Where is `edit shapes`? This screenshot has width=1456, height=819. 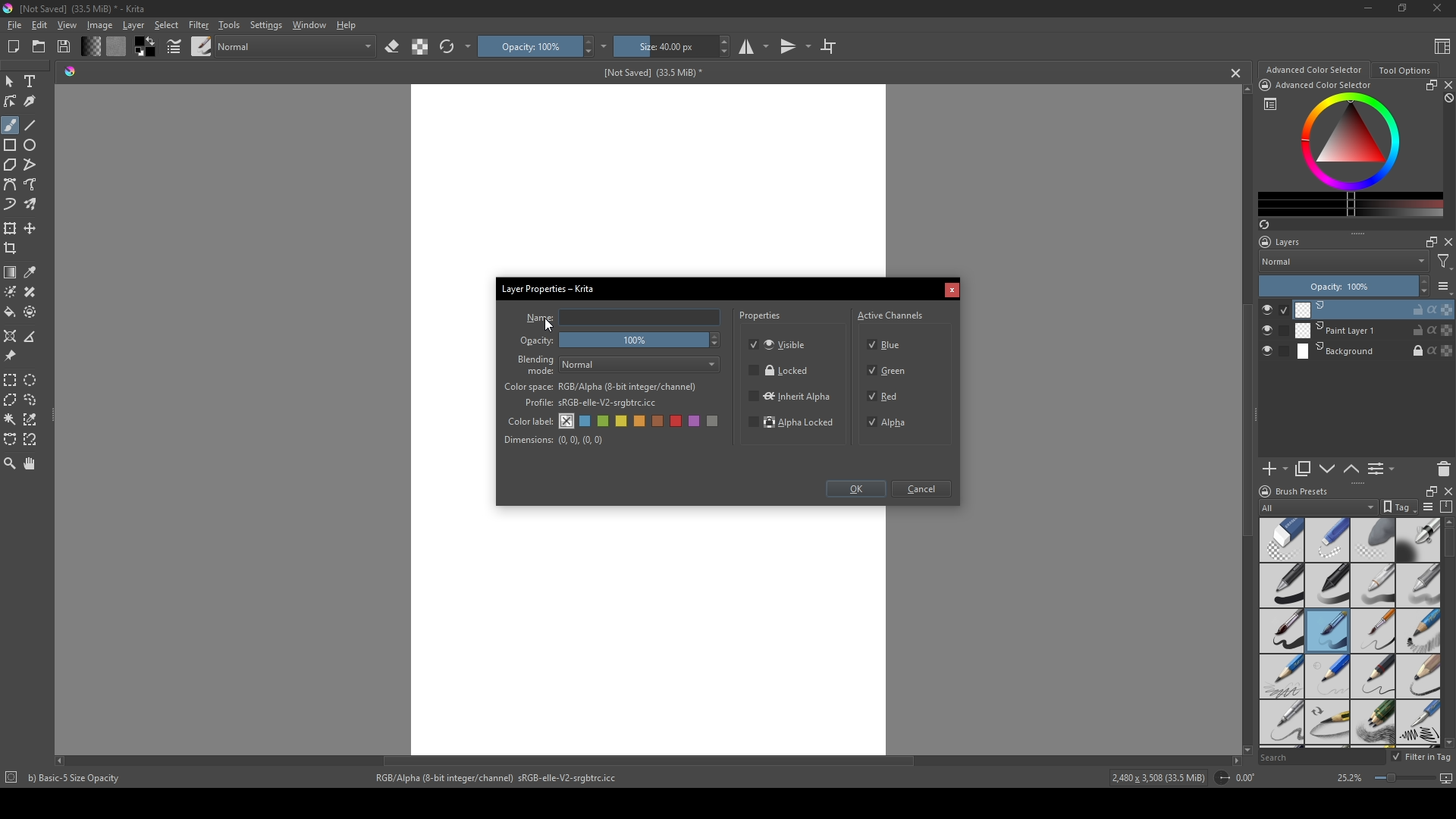 edit shapes is located at coordinates (11, 102).